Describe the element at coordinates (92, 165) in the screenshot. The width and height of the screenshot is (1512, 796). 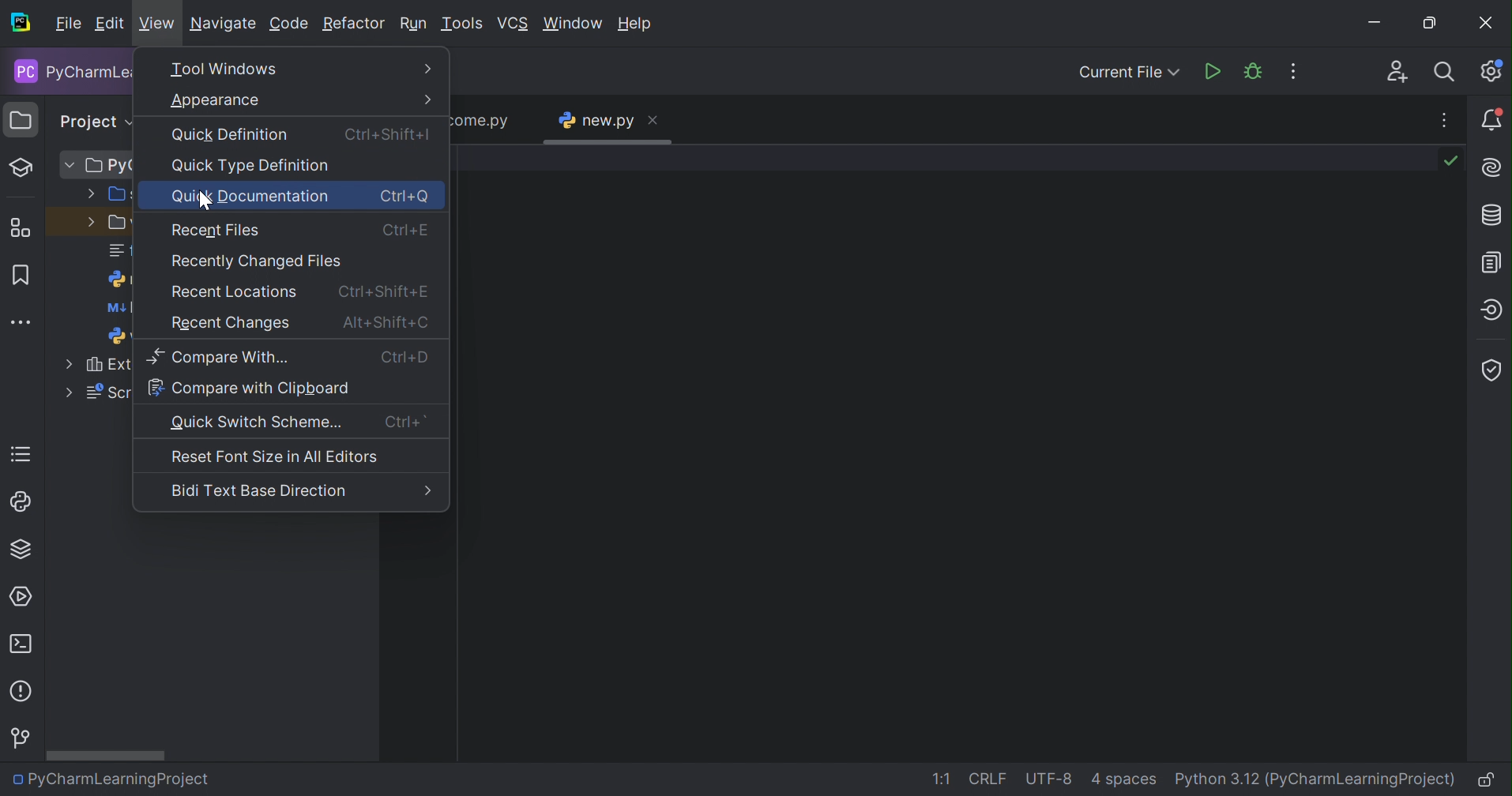
I see `PyCharmLearningProject` at that location.